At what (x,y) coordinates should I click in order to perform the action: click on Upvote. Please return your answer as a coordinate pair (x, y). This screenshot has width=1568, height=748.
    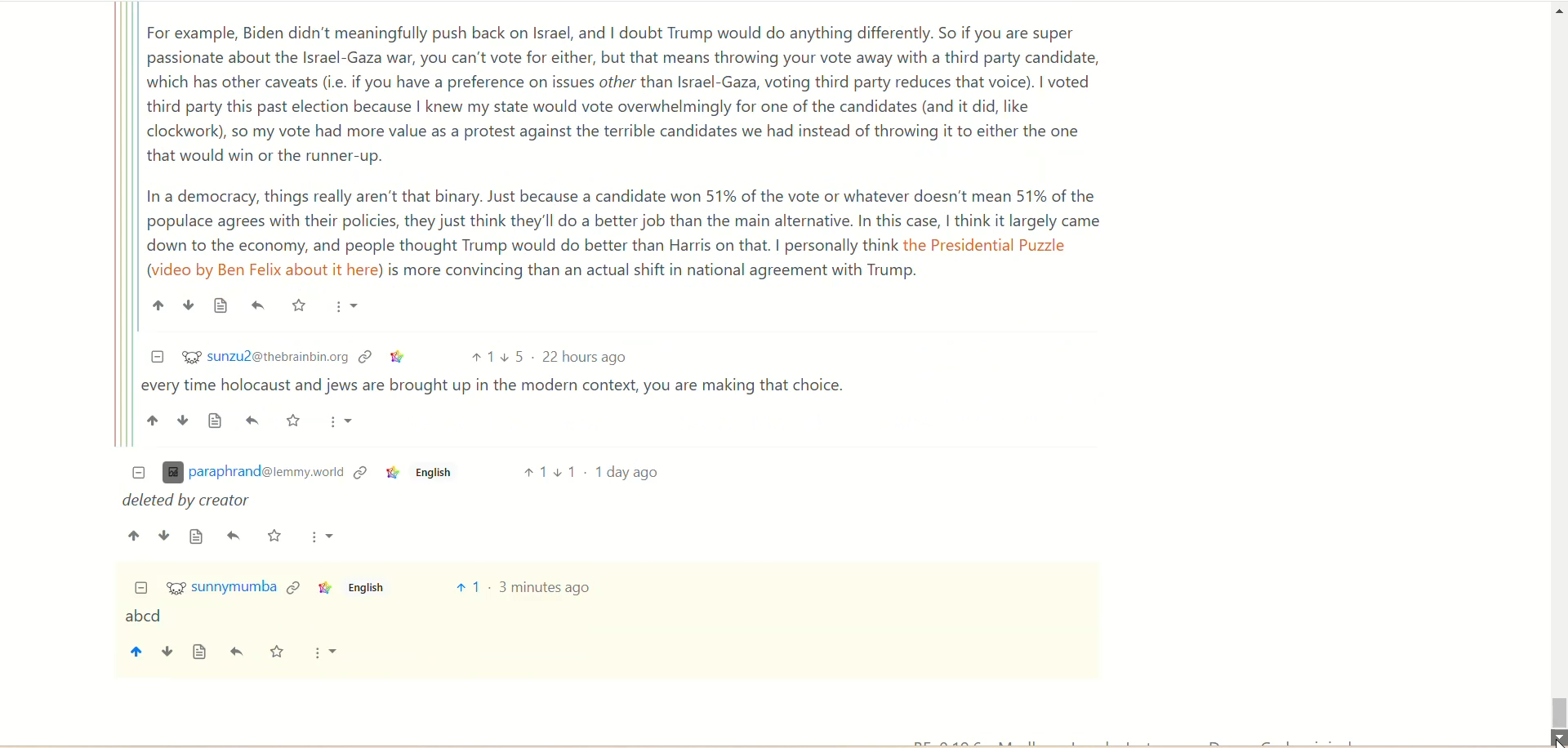
    Looking at the image, I should click on (159, 305).